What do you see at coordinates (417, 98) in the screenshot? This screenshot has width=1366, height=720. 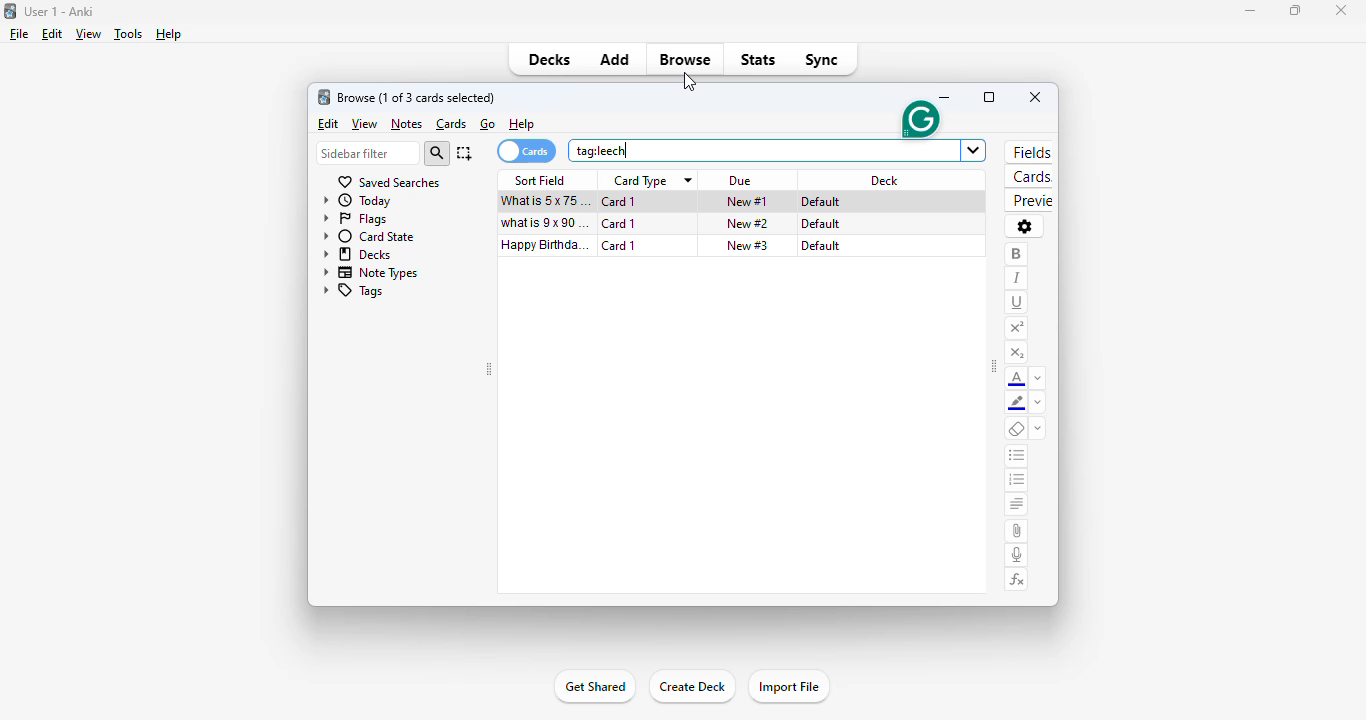 I see `browse (1 of 3 cards selected)` at bounding box center [417, 98].